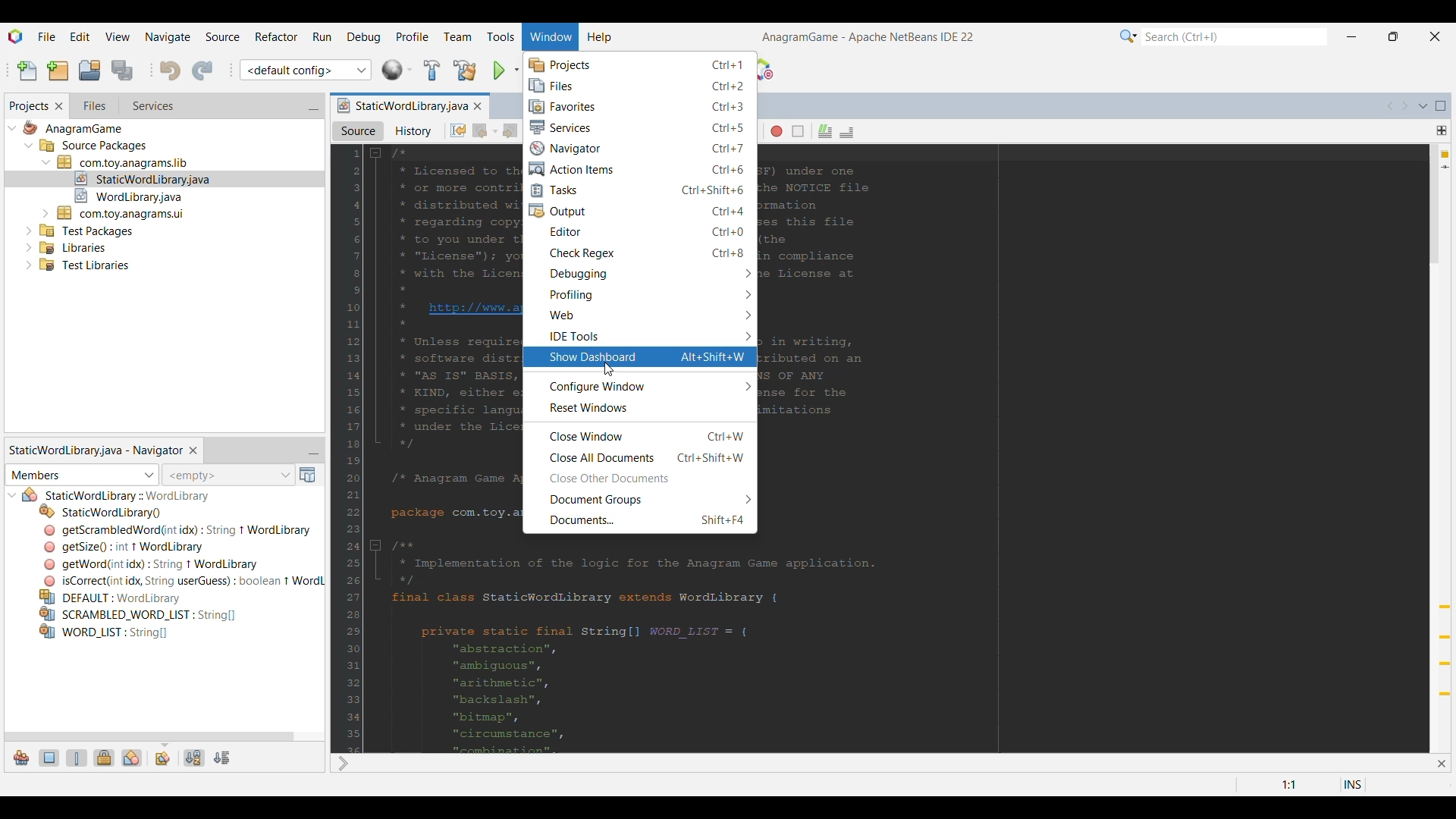 This screenshot has width=1456, height=819. I want to click on , so click(88, 229).